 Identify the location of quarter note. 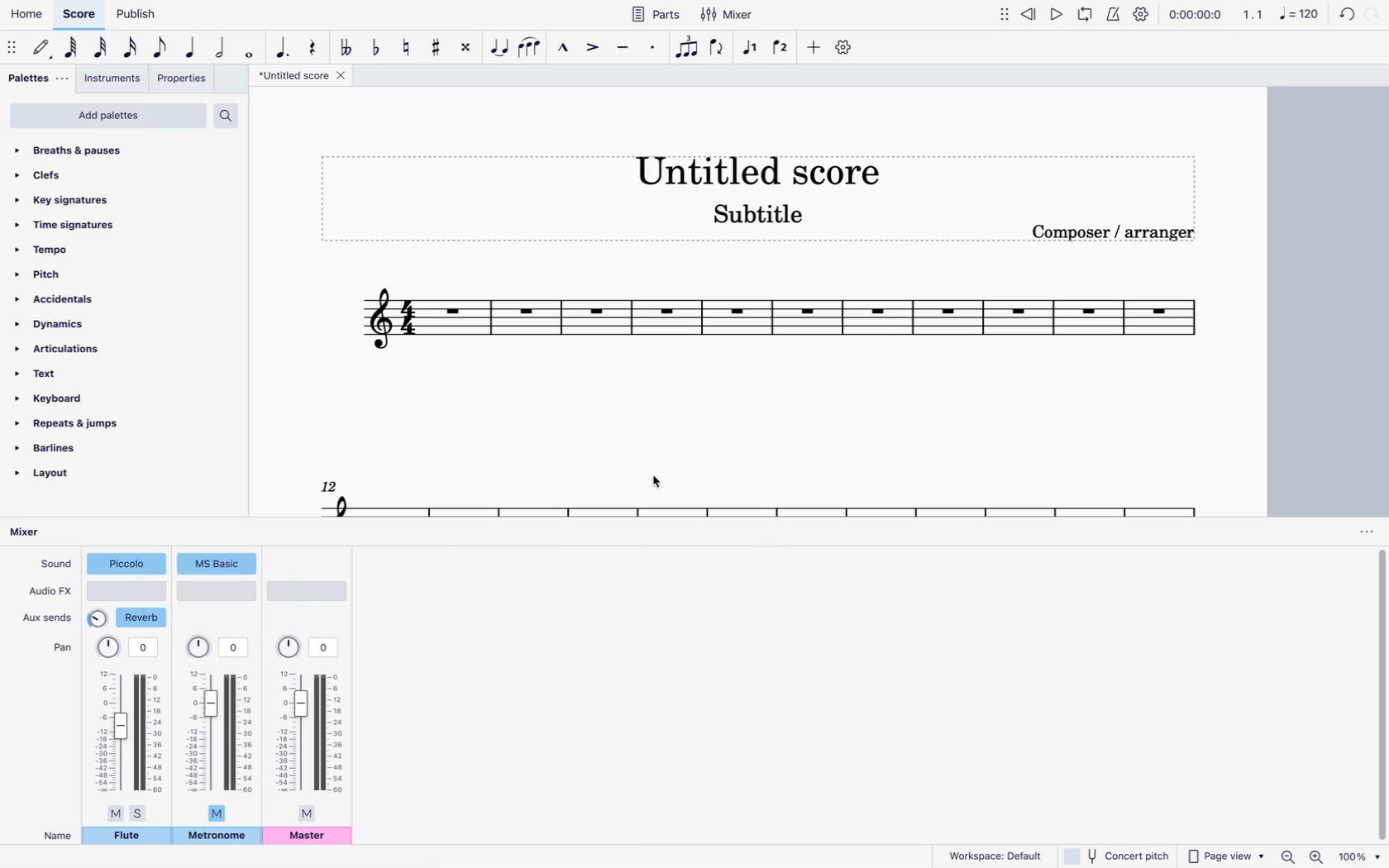
(193, 49).